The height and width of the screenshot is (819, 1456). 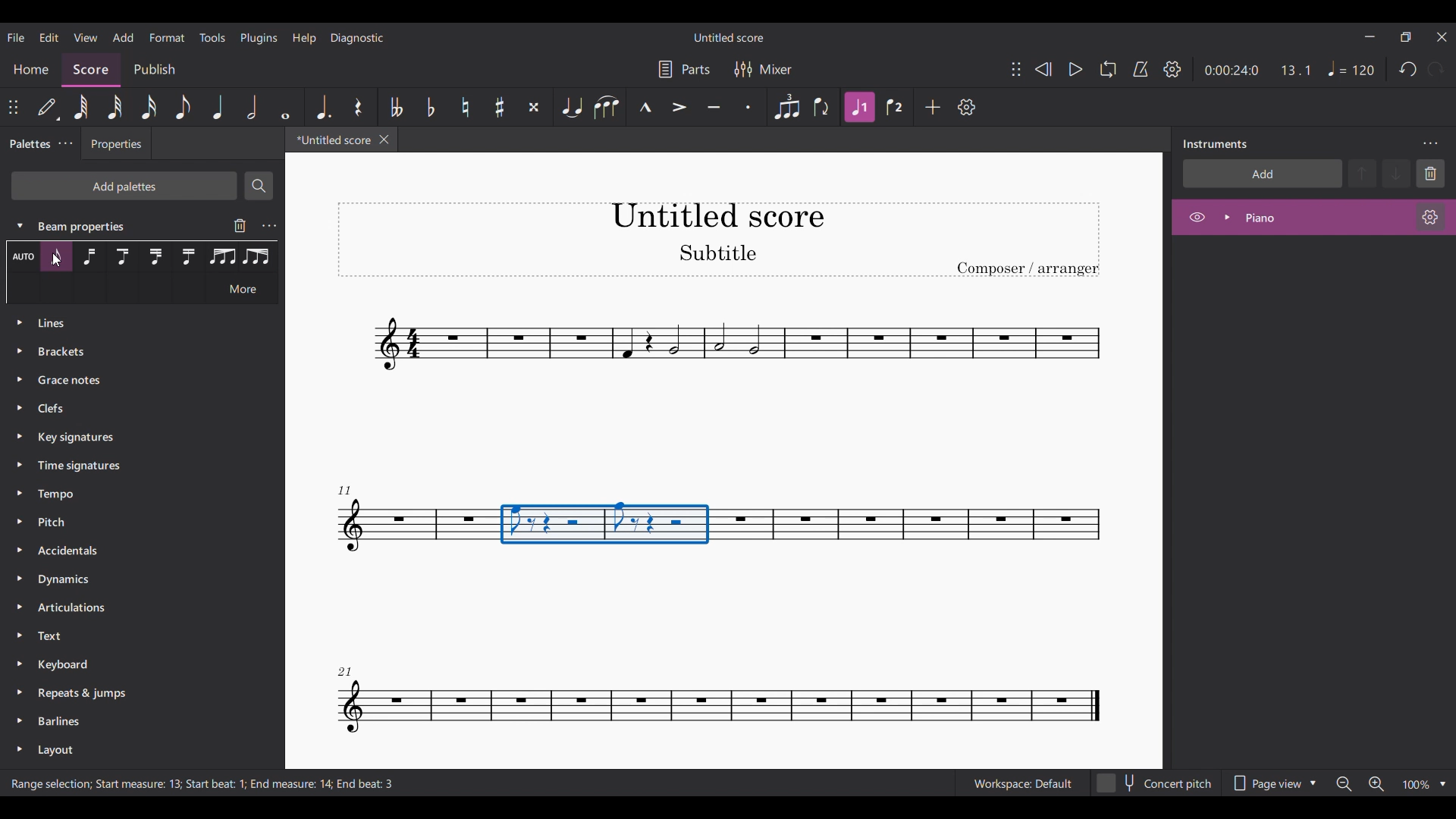 What do you see at coordinates (132, 494) in the screenshot?
I see `Tempo` at bounding box center [132, 494].